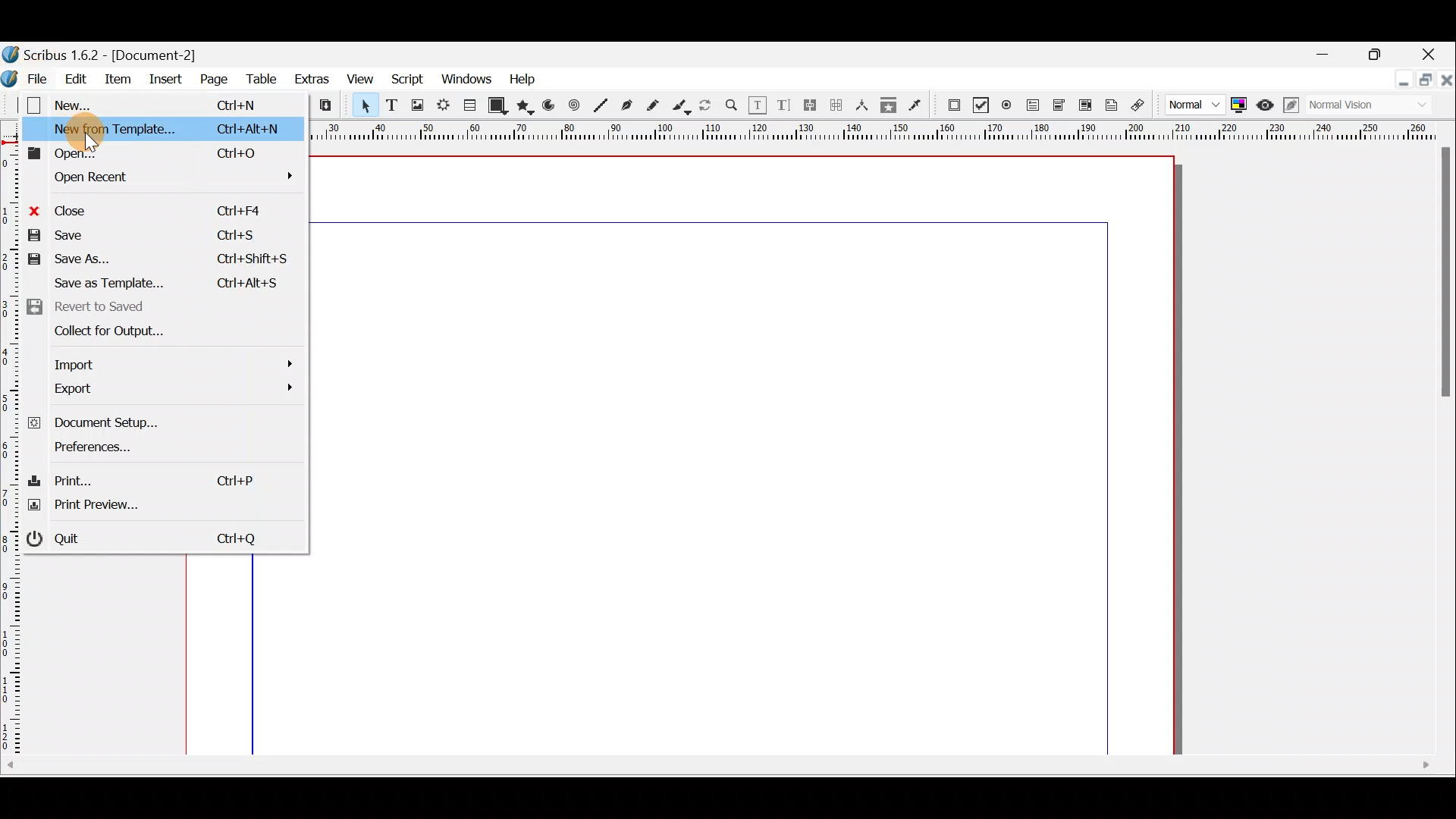 This screenshot has height=819, width=1456. Describe the element at coordinates (325, 105) in the screenshot. I see `Paste` at that location.